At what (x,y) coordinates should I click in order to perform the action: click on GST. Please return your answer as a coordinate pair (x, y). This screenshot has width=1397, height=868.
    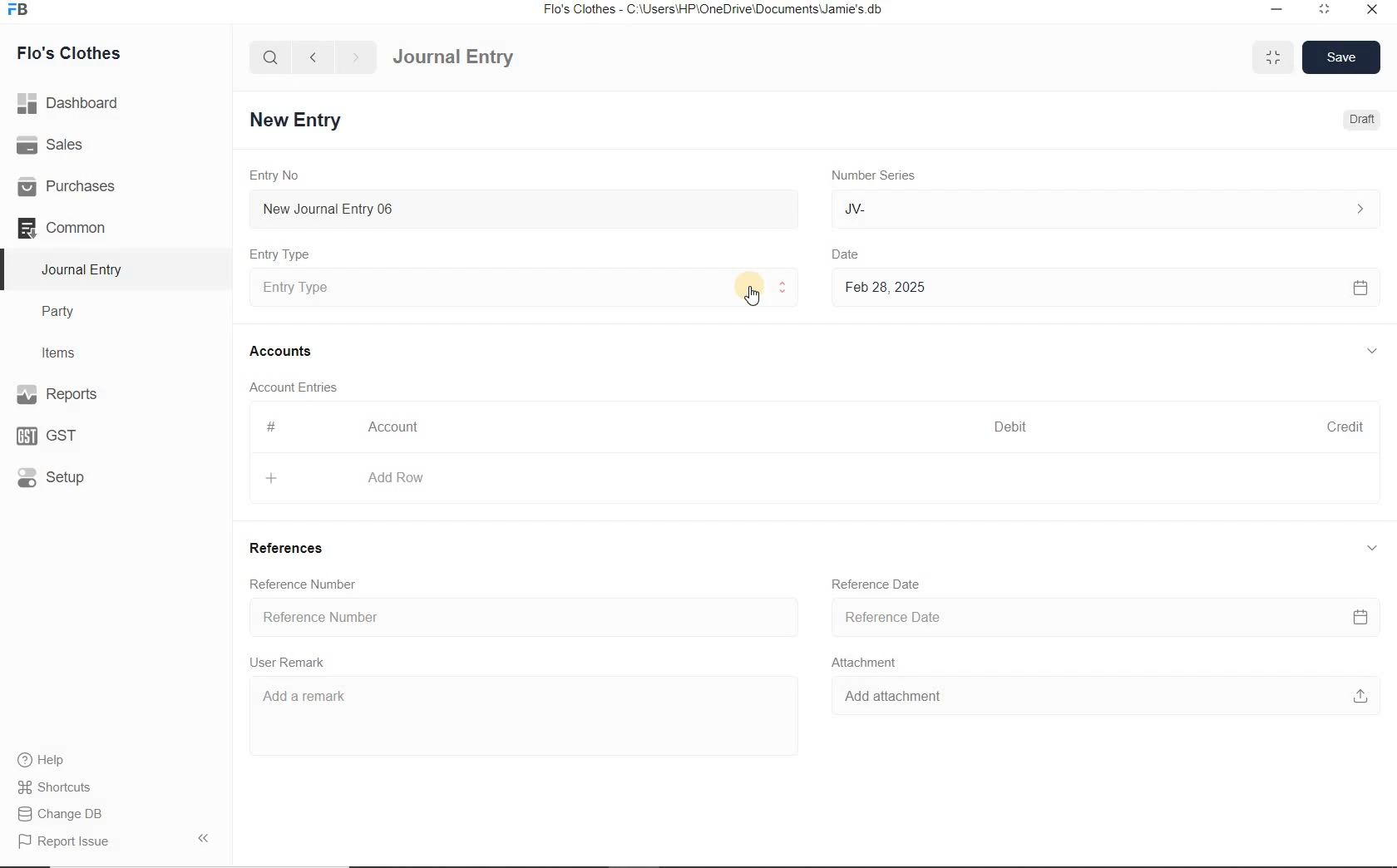
    Looking at the image, I should click on (54, 434).